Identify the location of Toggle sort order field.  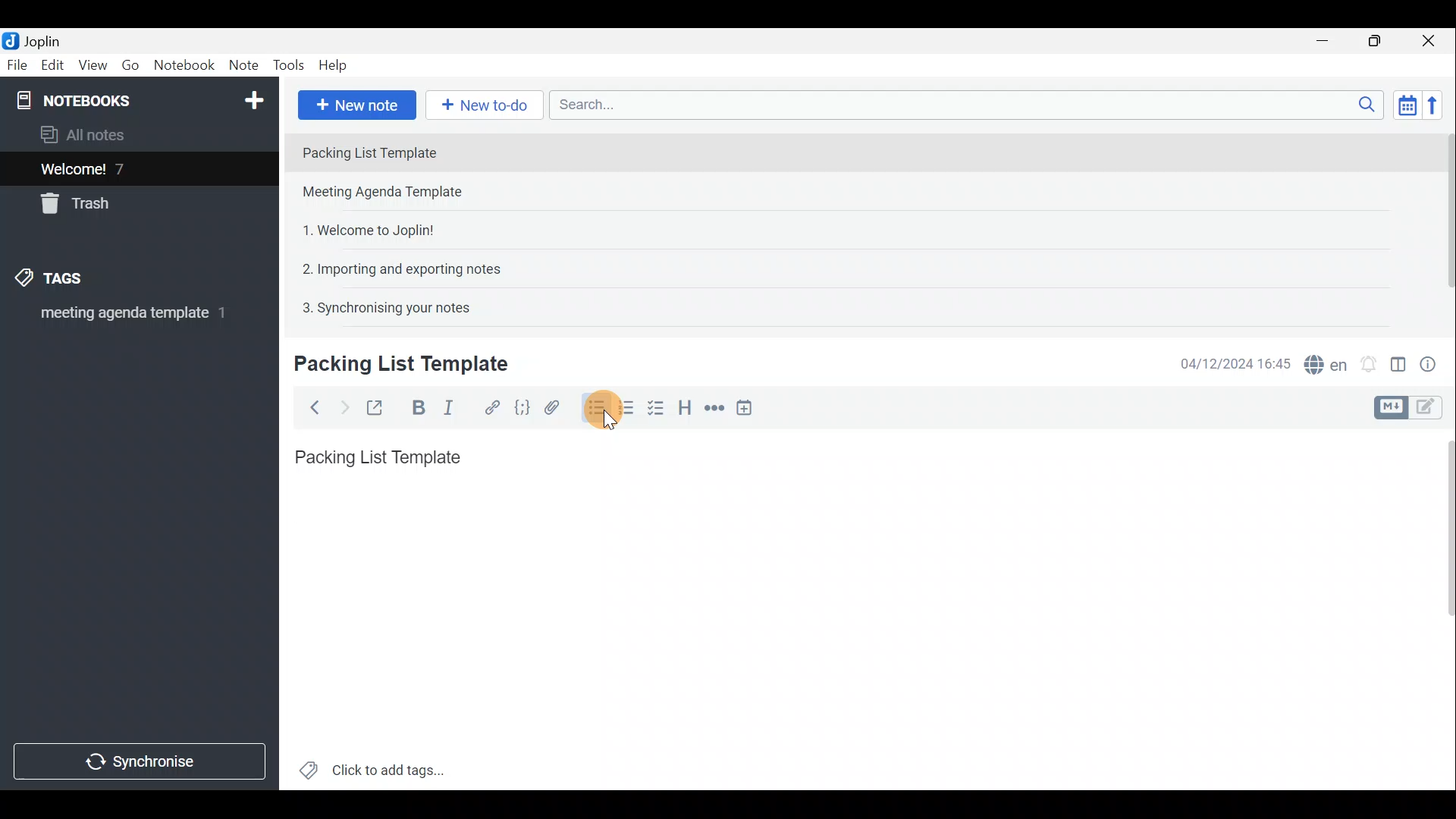
(1402, 105).